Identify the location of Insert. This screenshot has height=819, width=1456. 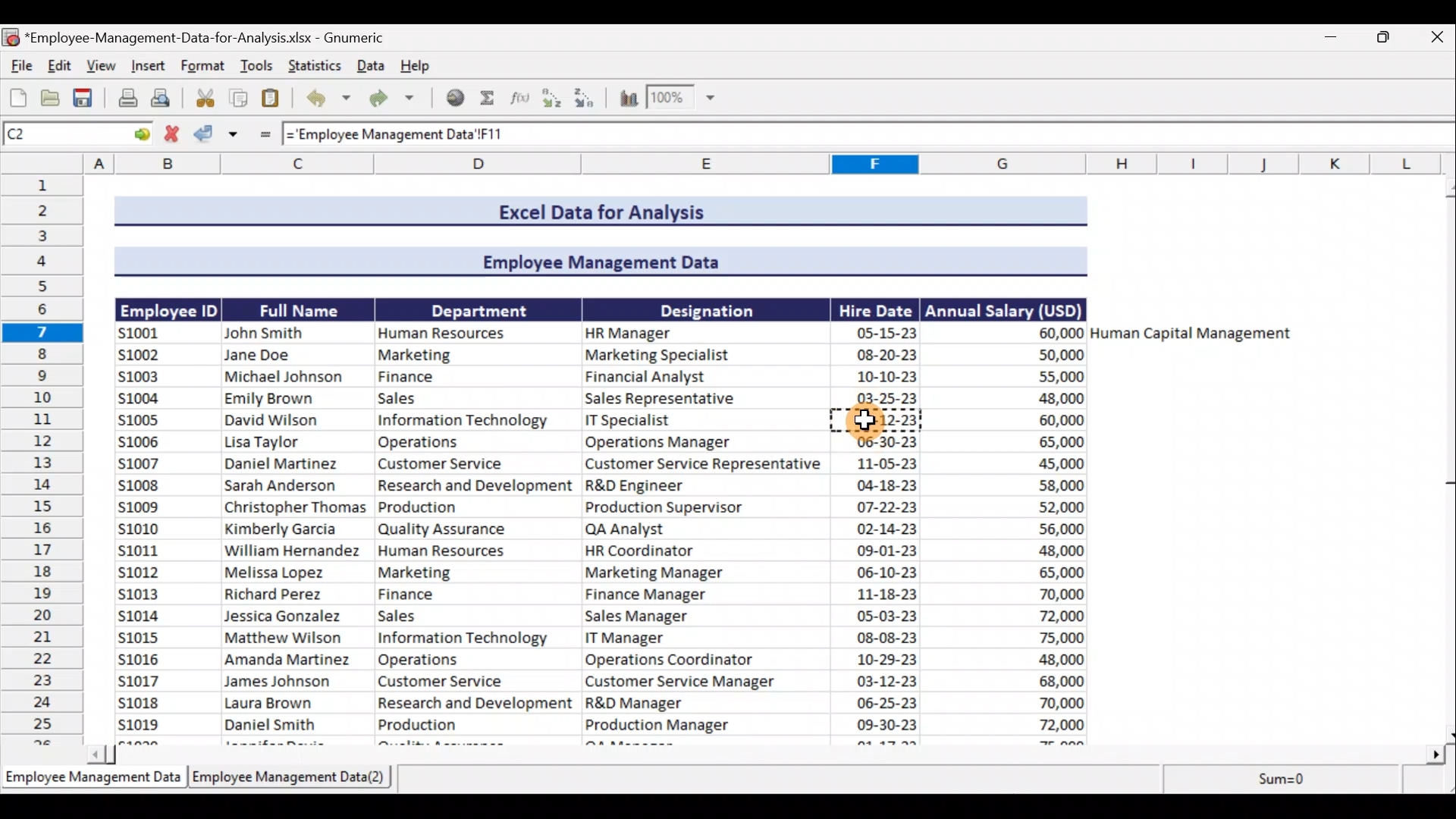
(149, 68).